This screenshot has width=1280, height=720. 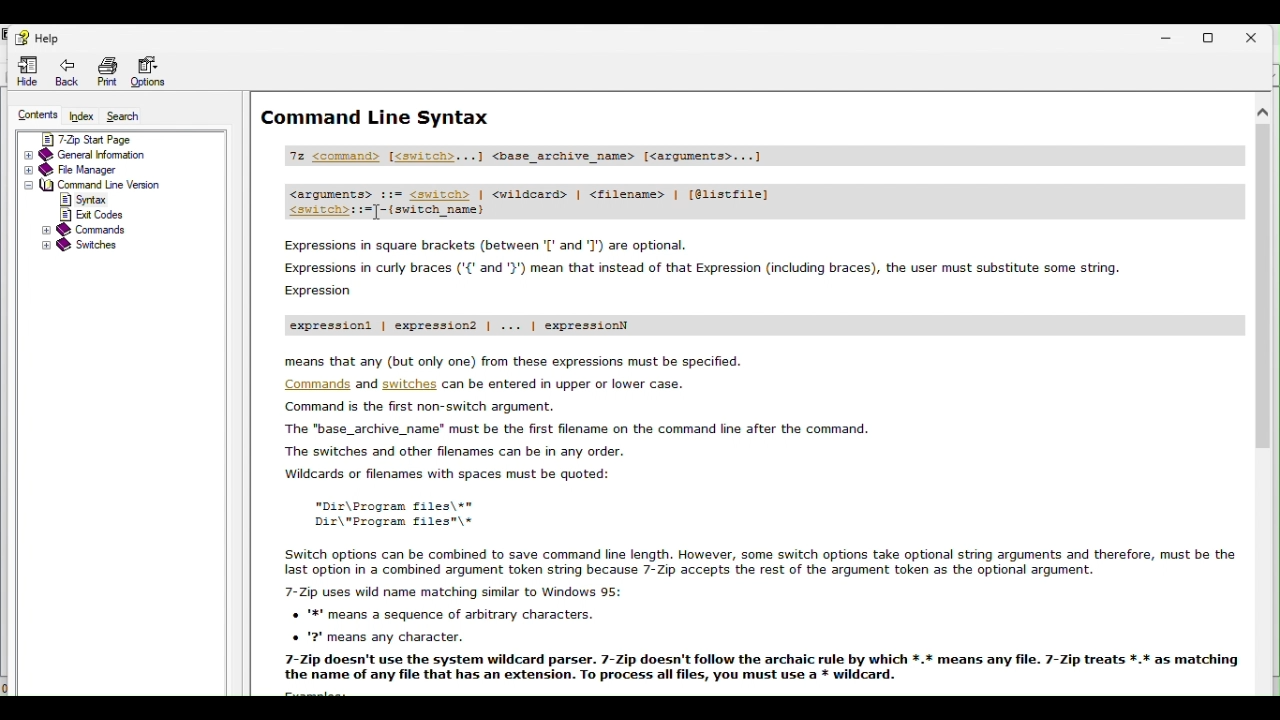 What do you see at coordinates (319, 212) in the screenshot?
I see `<switch>` at bounding box center [319, 212].